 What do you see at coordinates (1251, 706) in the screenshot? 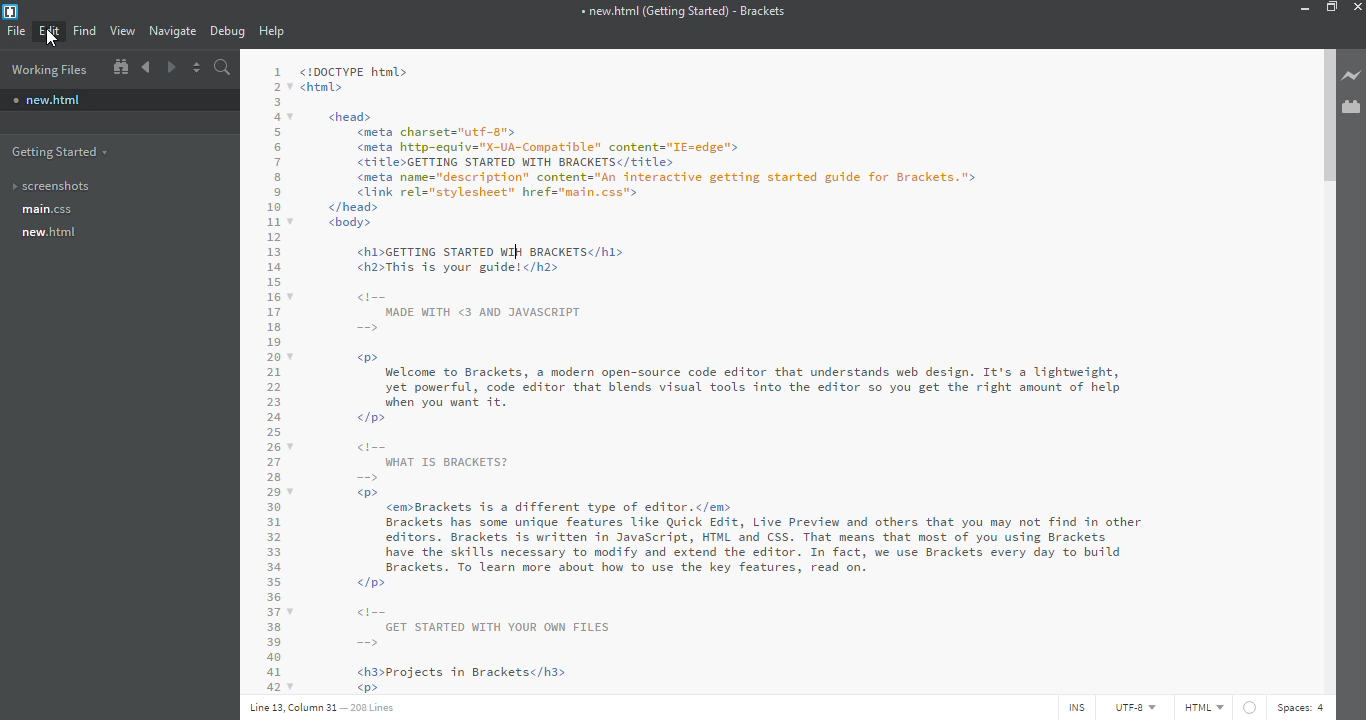
I see `linter` at bounding box center [1251, 706].